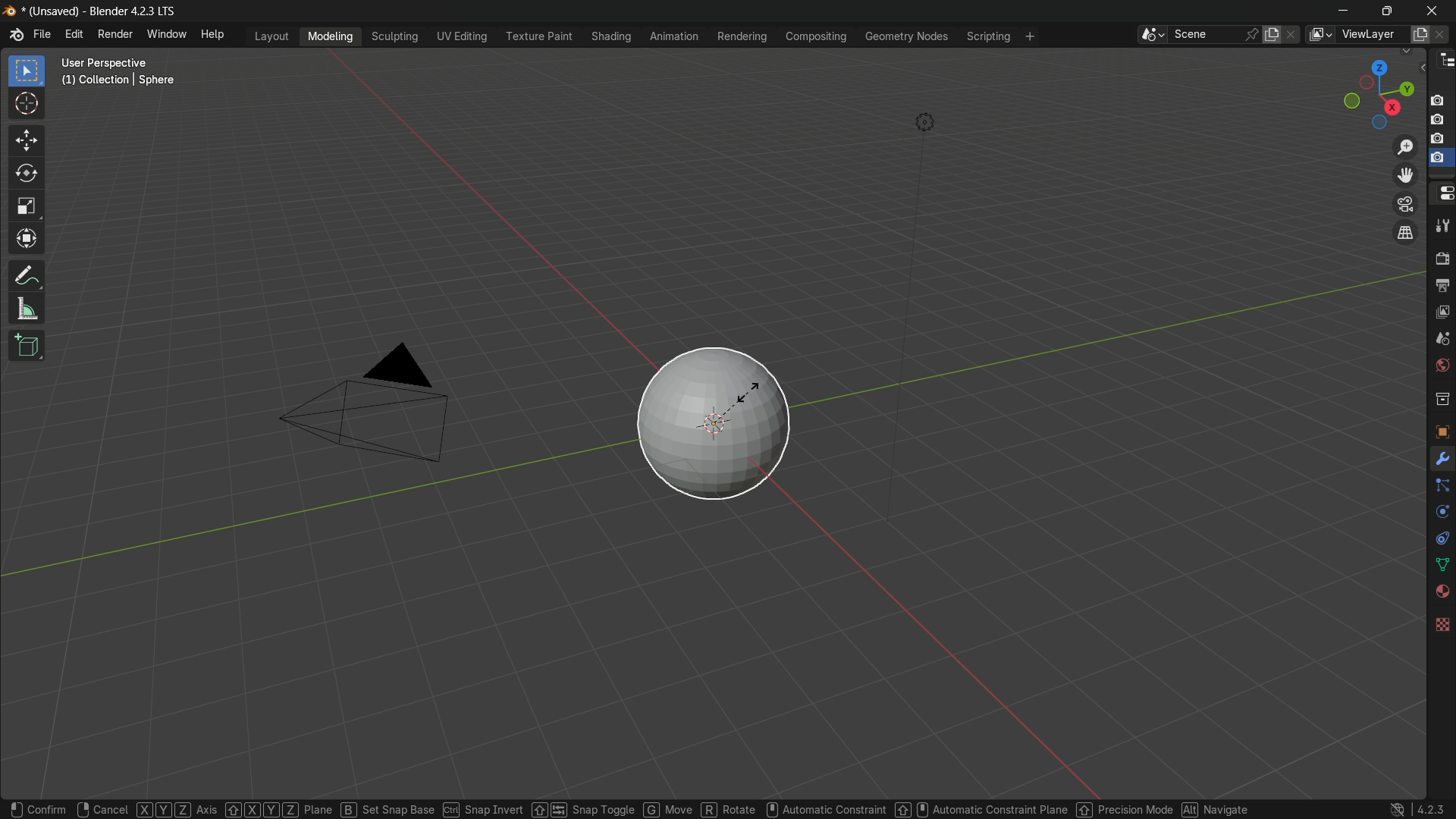 This screenshot has height=819, width=1456. Describe the element at coordinates (1441, 121) in the screenshot. I see `capture` at that location.